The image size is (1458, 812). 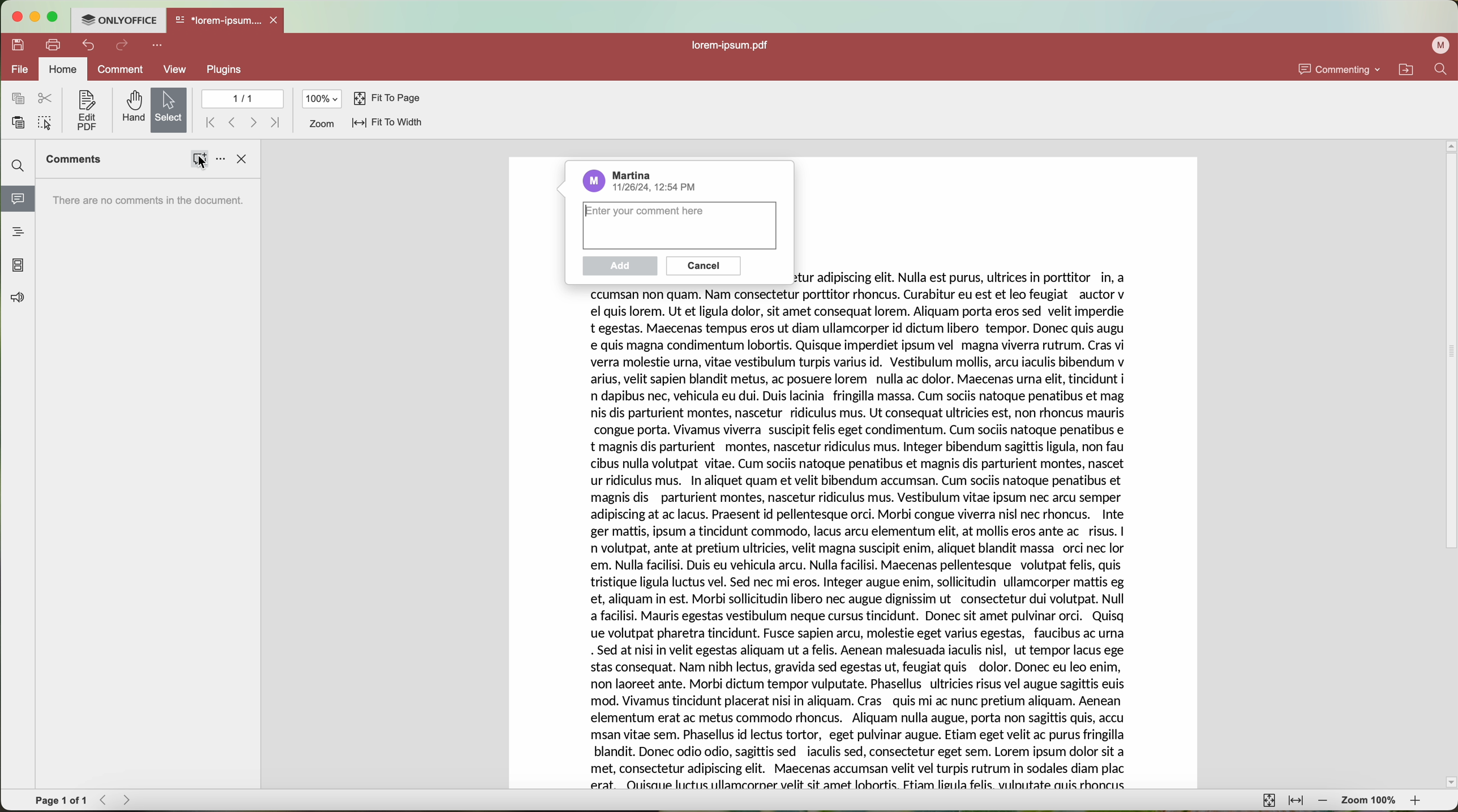 I want to click on minimize, so click(x=33, y=18).